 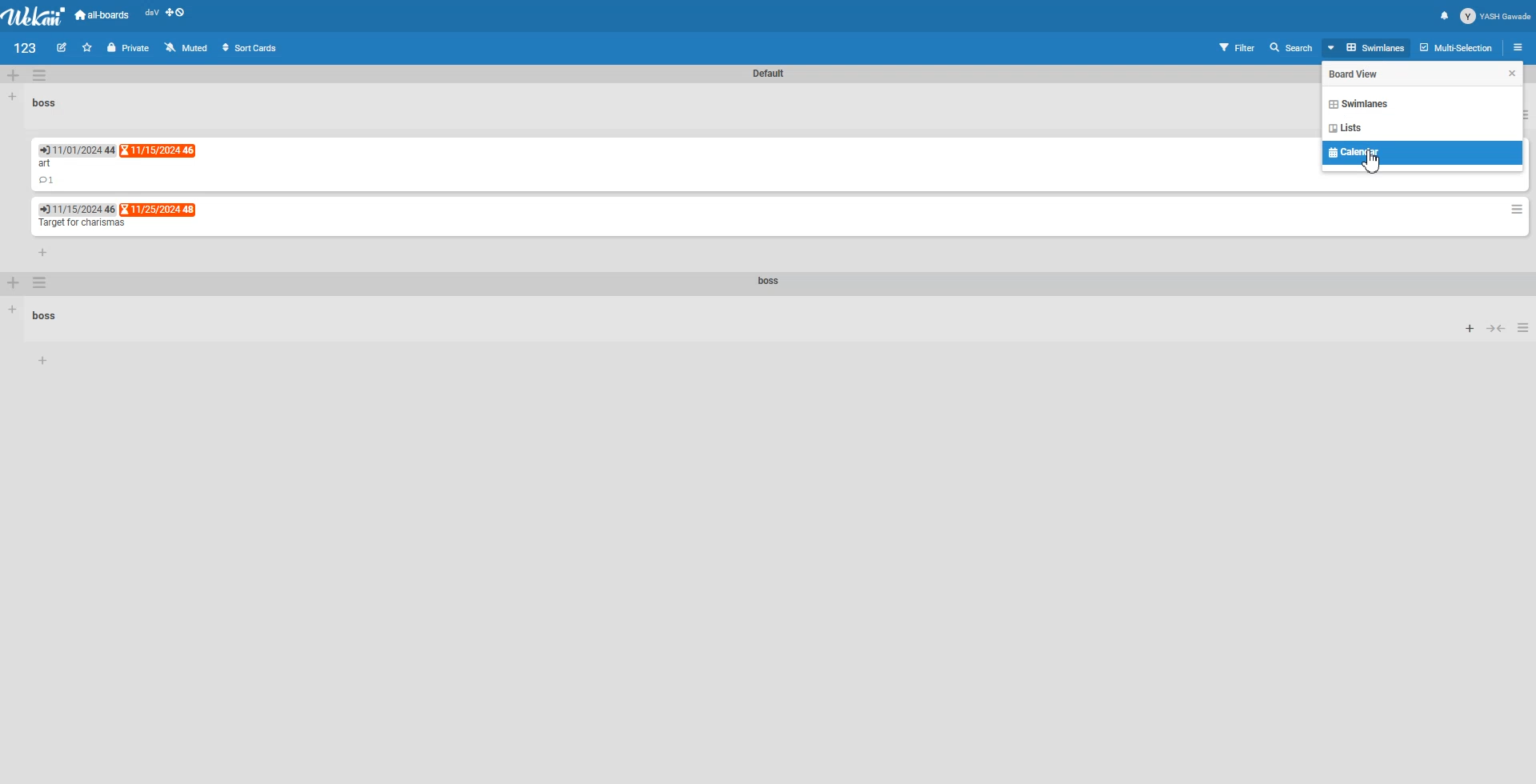 What do you see at coordinates (158, 151) in the screenshot?
I see `End date` at bounding box center [158, 151].